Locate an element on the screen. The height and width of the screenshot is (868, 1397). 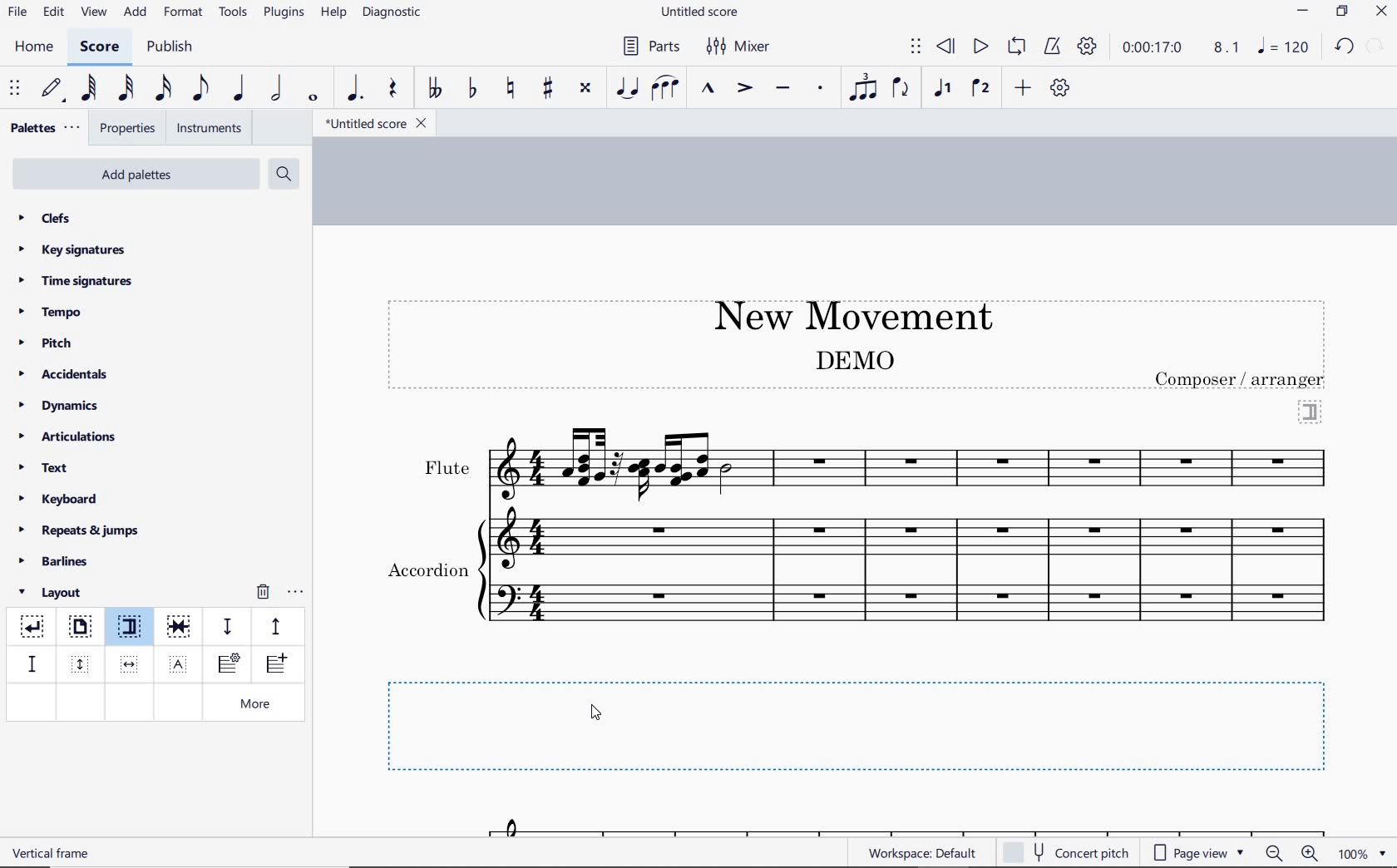
playback settings is located at coordinates (1089, 46).